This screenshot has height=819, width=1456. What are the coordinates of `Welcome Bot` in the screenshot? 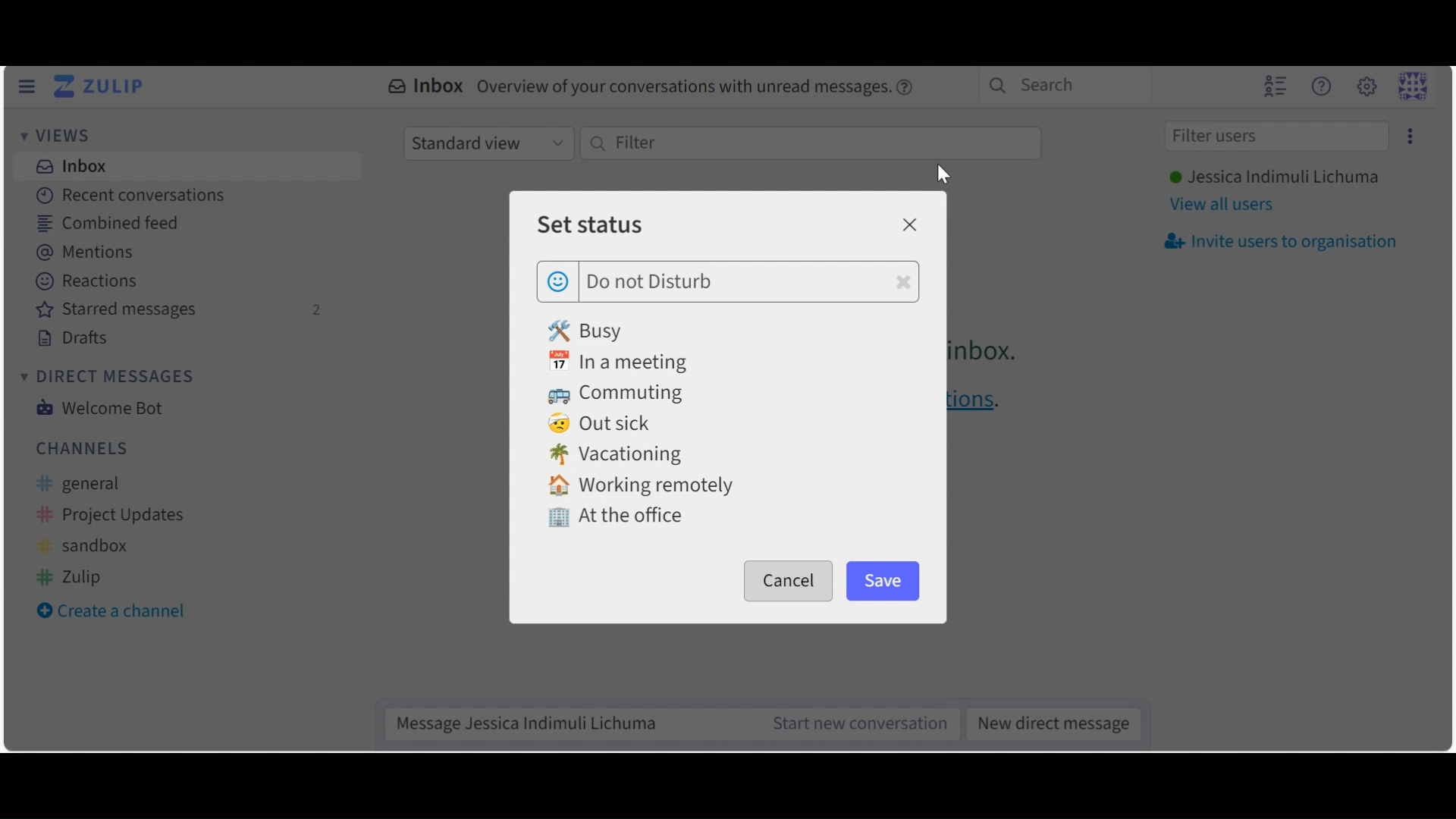 It's located at (98, 408).